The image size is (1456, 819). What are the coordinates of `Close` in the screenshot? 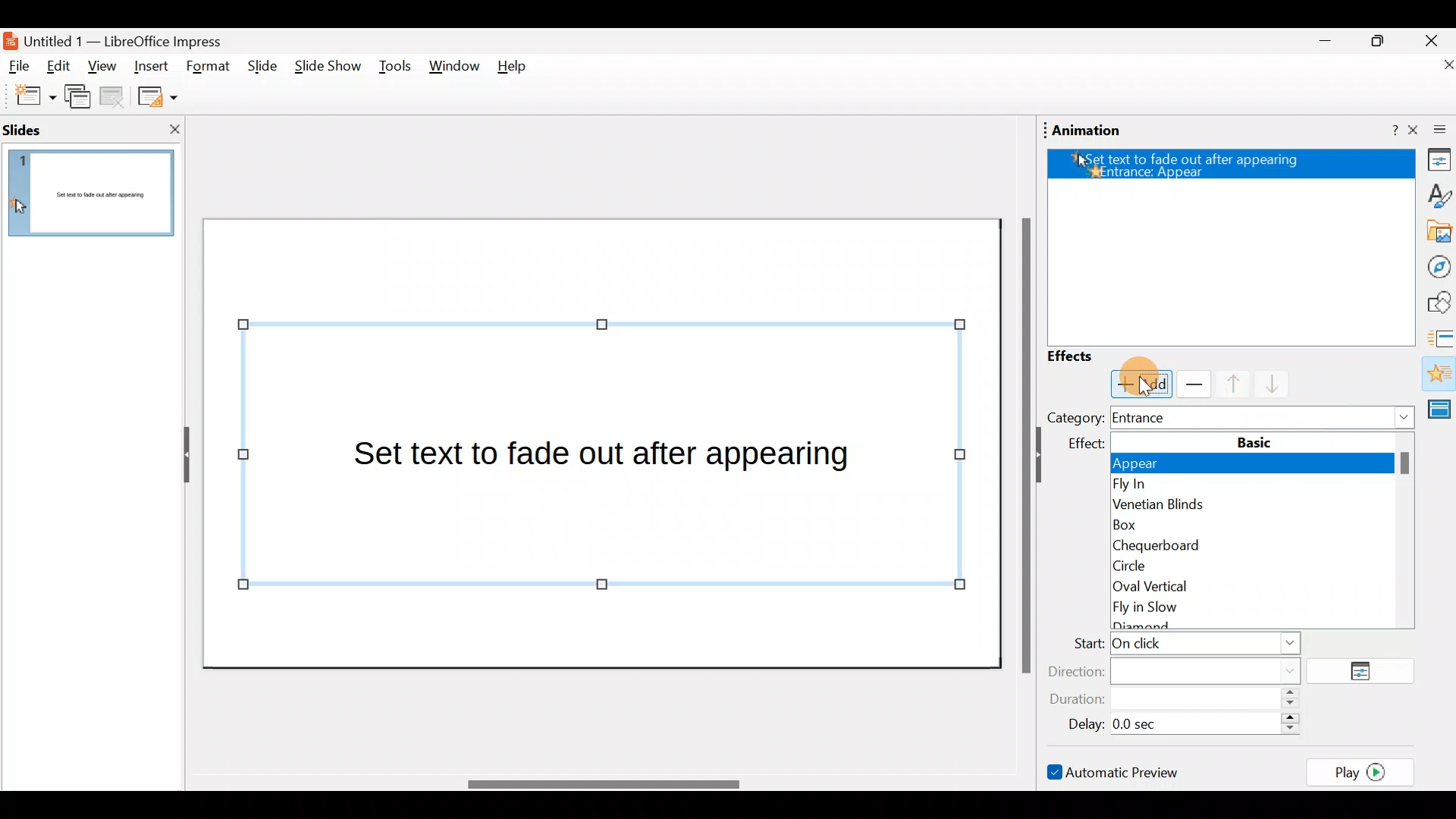 It's located at (1432, 39).